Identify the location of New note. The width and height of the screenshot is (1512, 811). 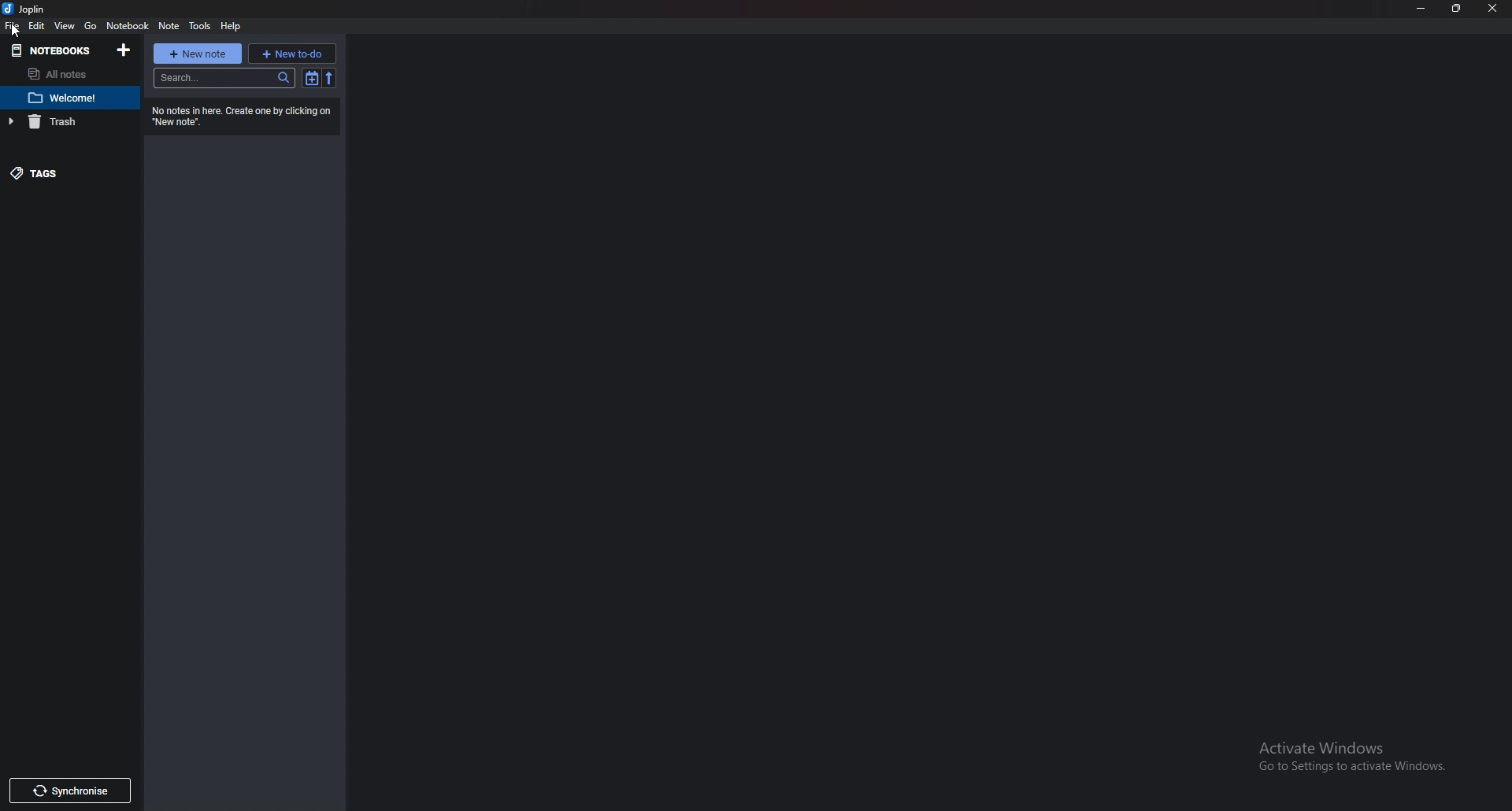
(199, 54).